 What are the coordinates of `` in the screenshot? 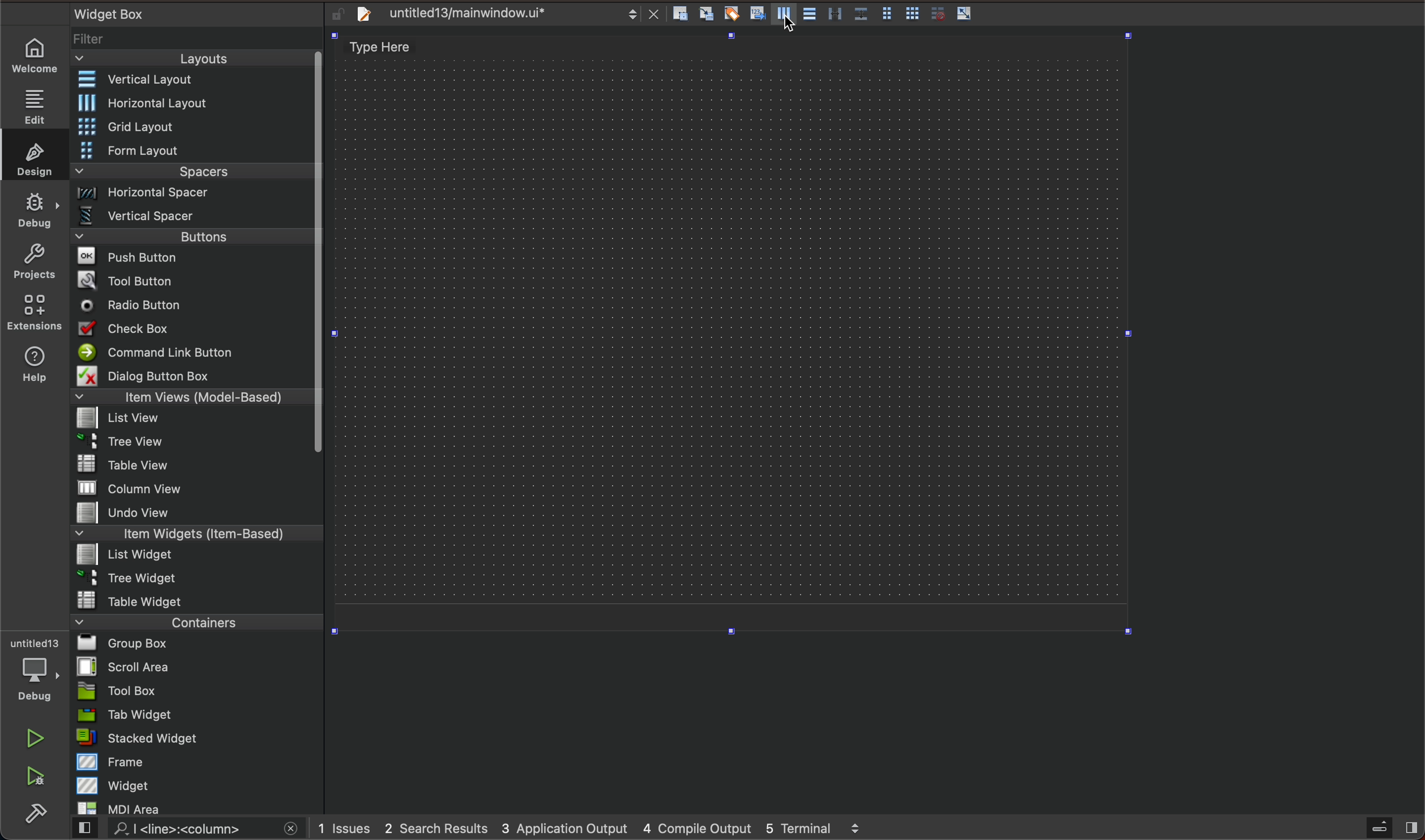 It's located at (914, 14).